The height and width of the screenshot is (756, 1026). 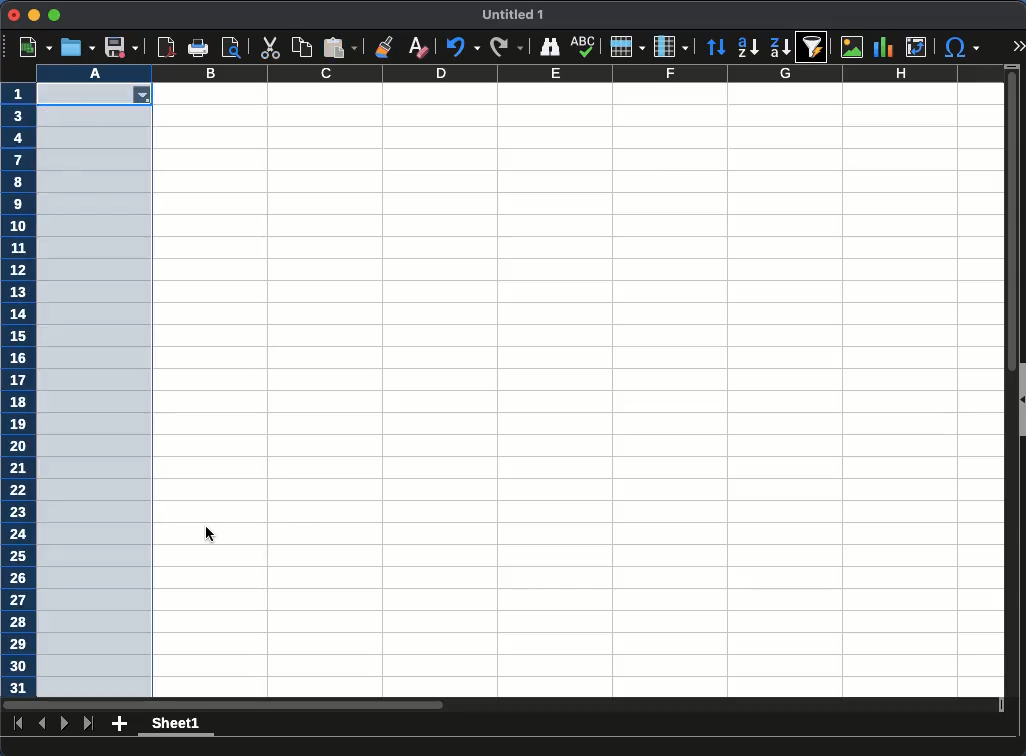 What do you see at coordinates (718, 47) in the screenshot?
I see `sort` at bounding box center [718, 47].